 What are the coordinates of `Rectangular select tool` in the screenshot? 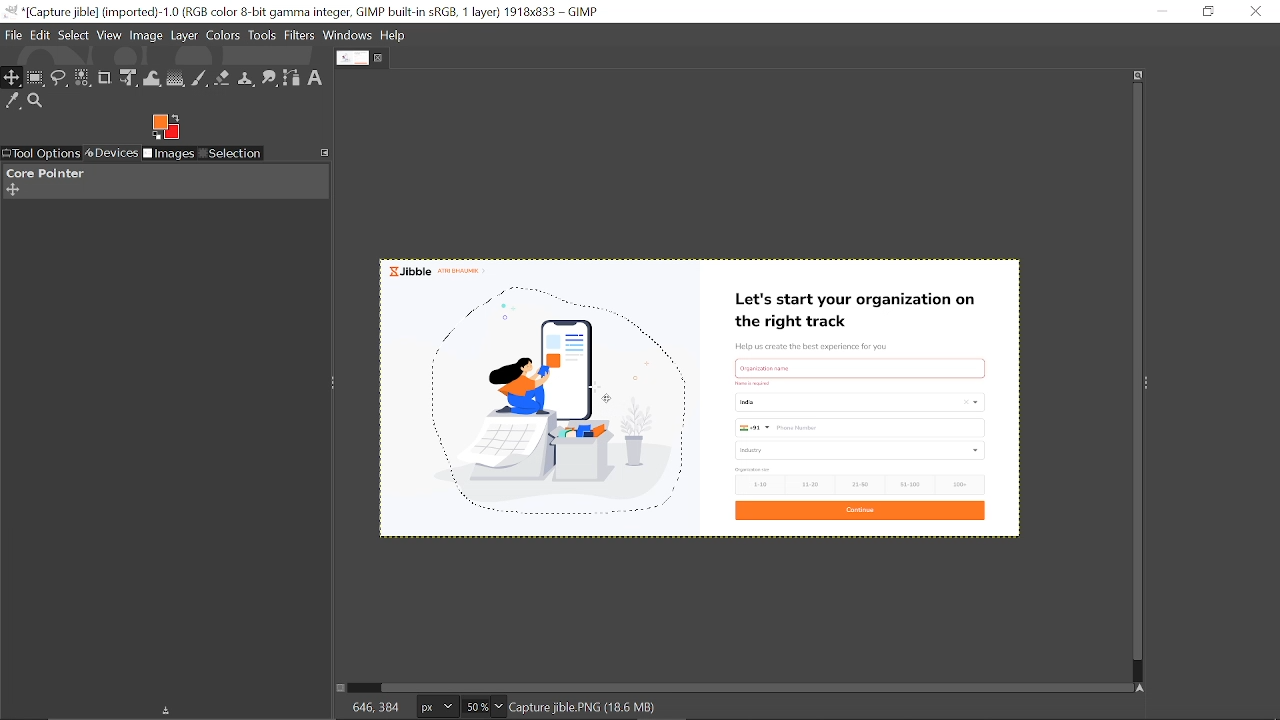 It's located at (36, 79).